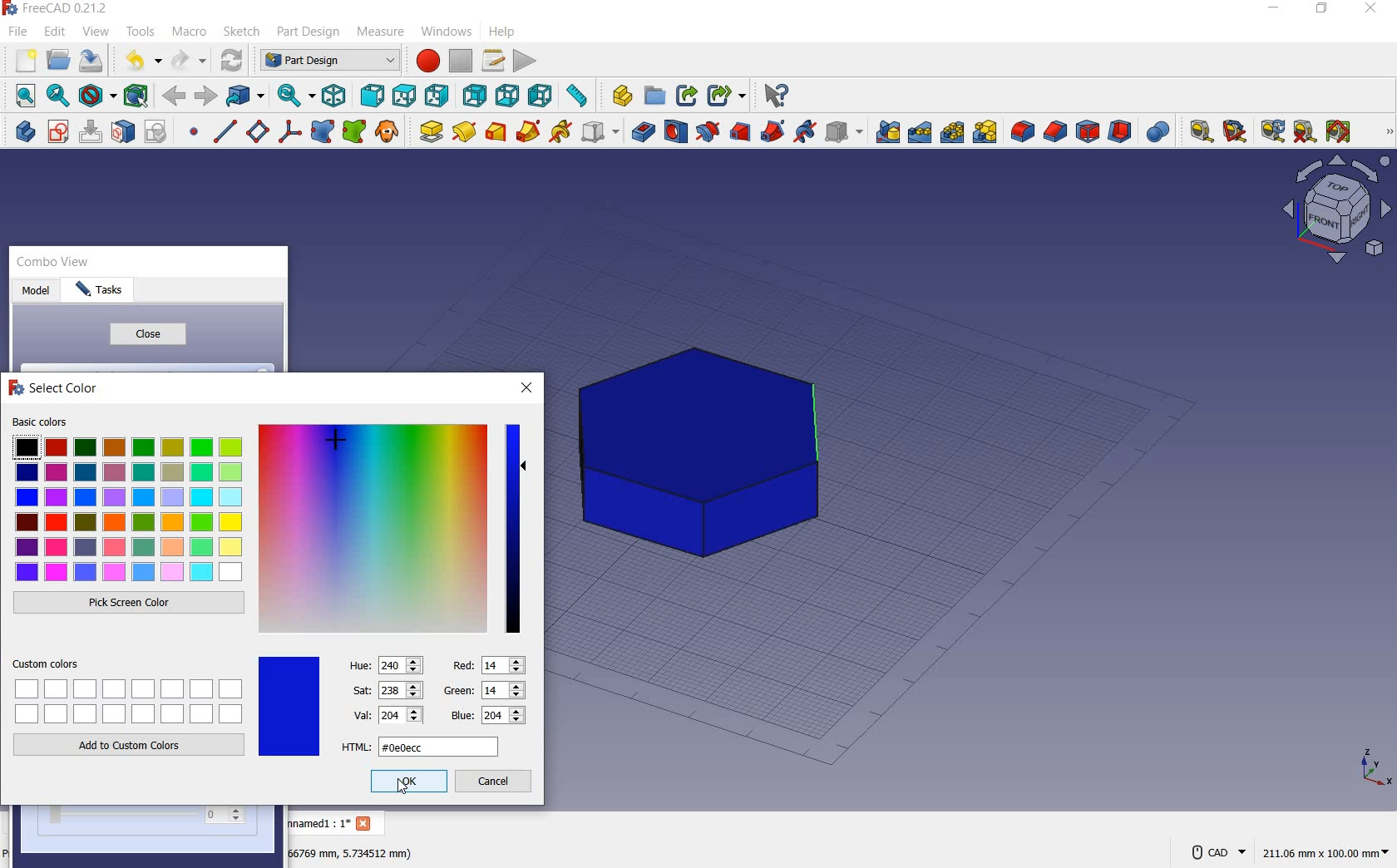 This screenshot has height=868, width=1397. Describe the element at coordinates (130, 604) in the screenshot. I see `pick screen color` at that location.